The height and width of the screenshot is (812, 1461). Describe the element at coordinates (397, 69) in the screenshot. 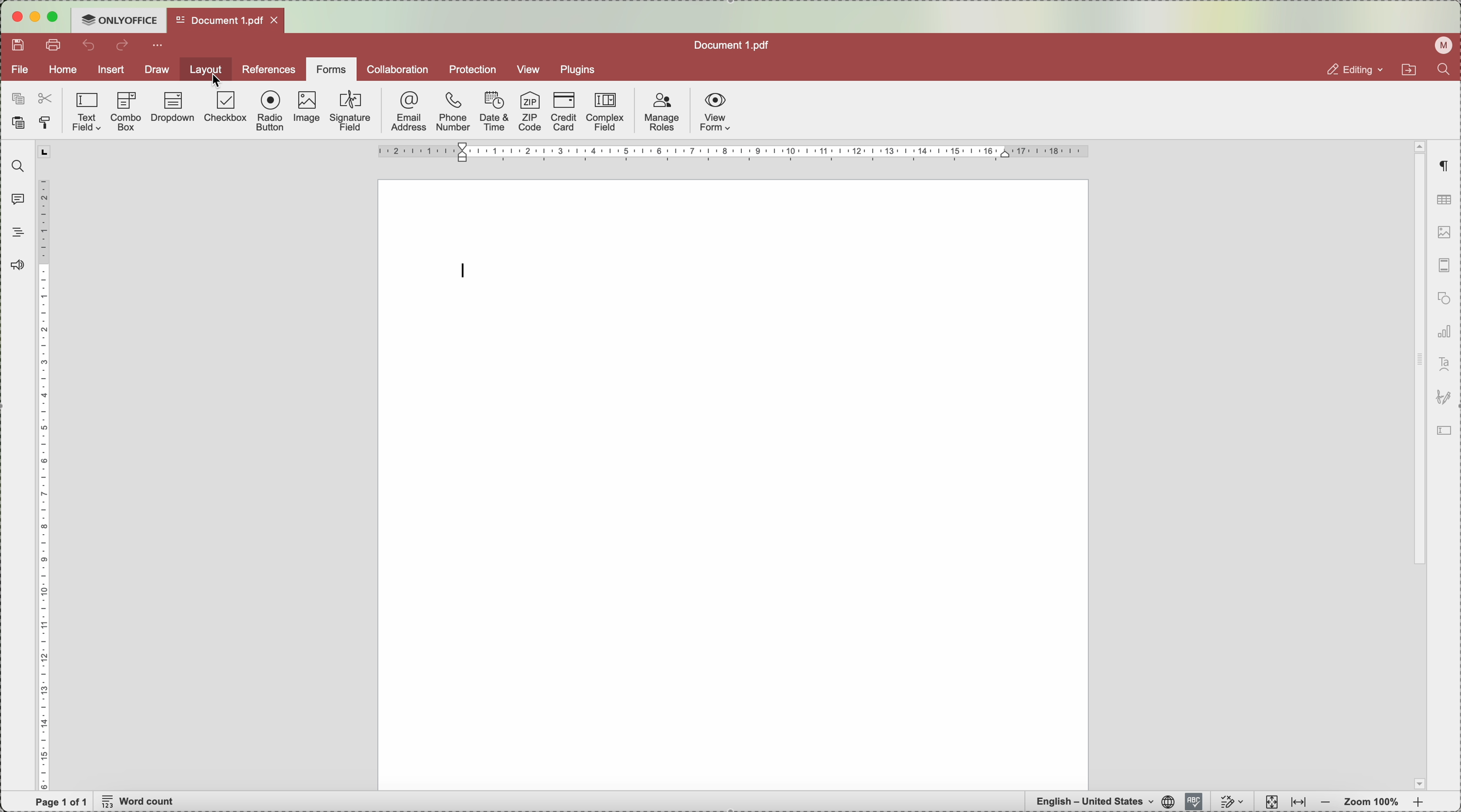

I see `collaboration` at that location.